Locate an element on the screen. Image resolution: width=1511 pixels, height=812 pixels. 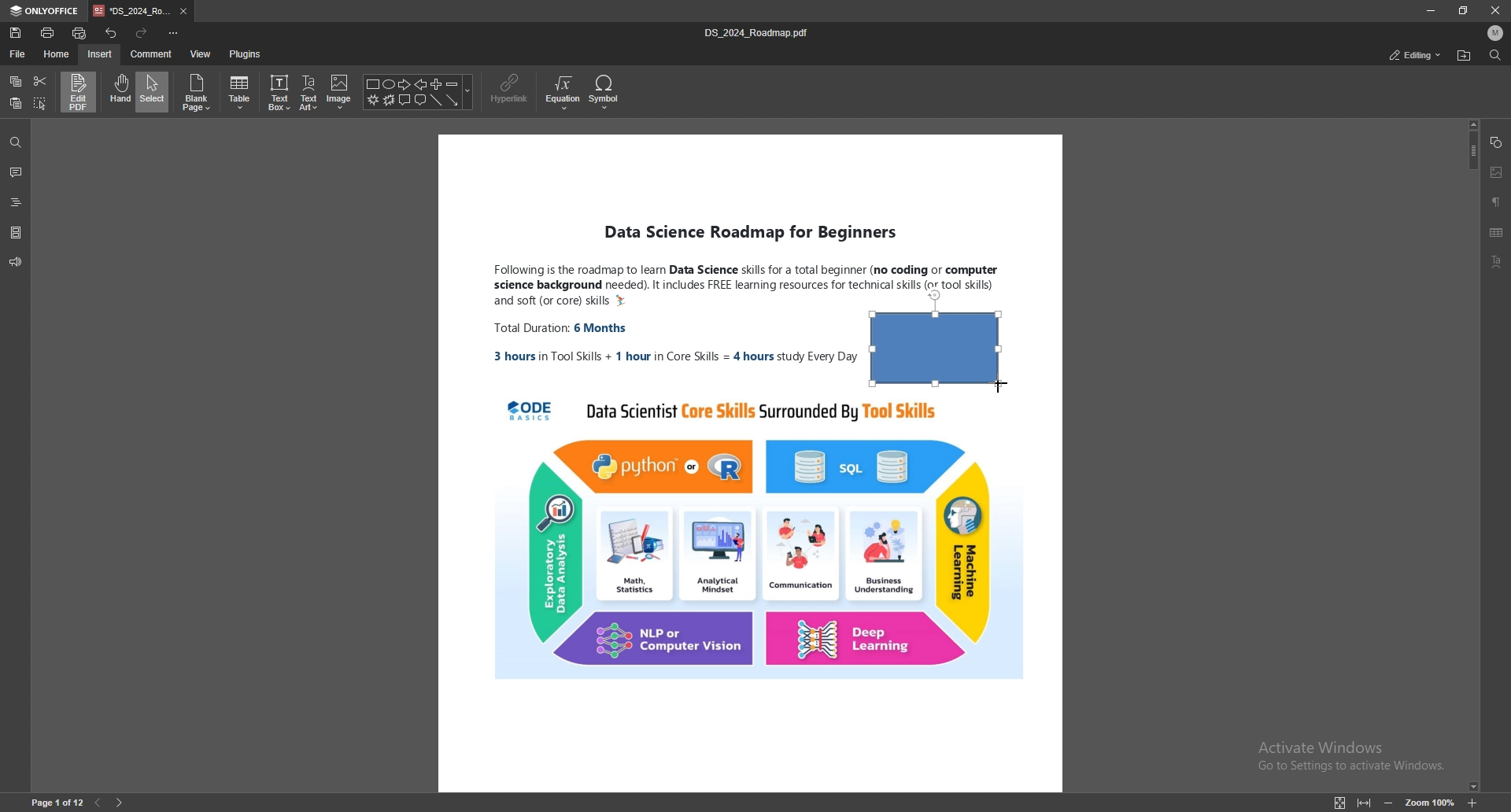
quick print is located at coordinates (83, 31).